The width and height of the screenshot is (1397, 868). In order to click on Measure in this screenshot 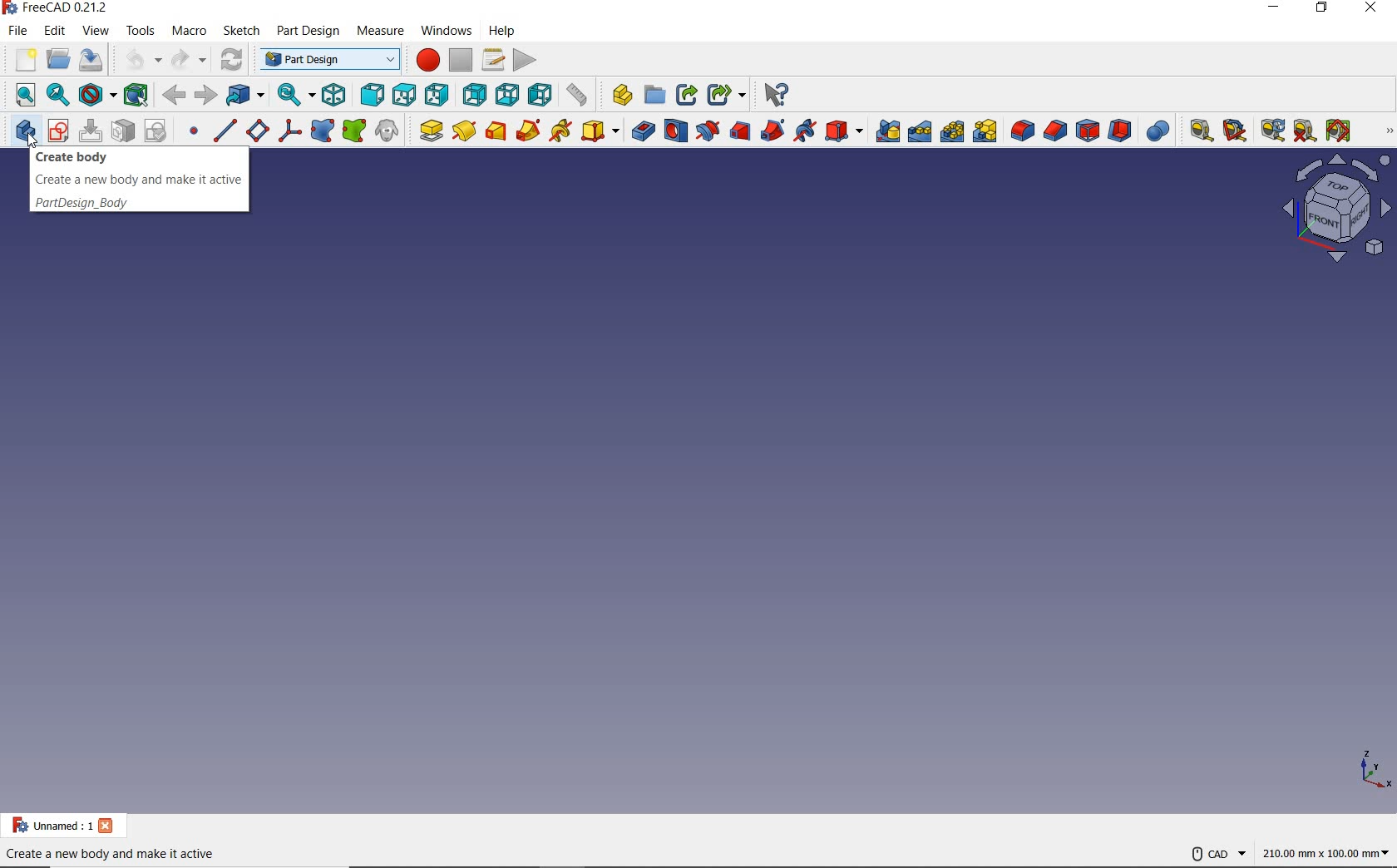, I will do `click(621, 96)`.